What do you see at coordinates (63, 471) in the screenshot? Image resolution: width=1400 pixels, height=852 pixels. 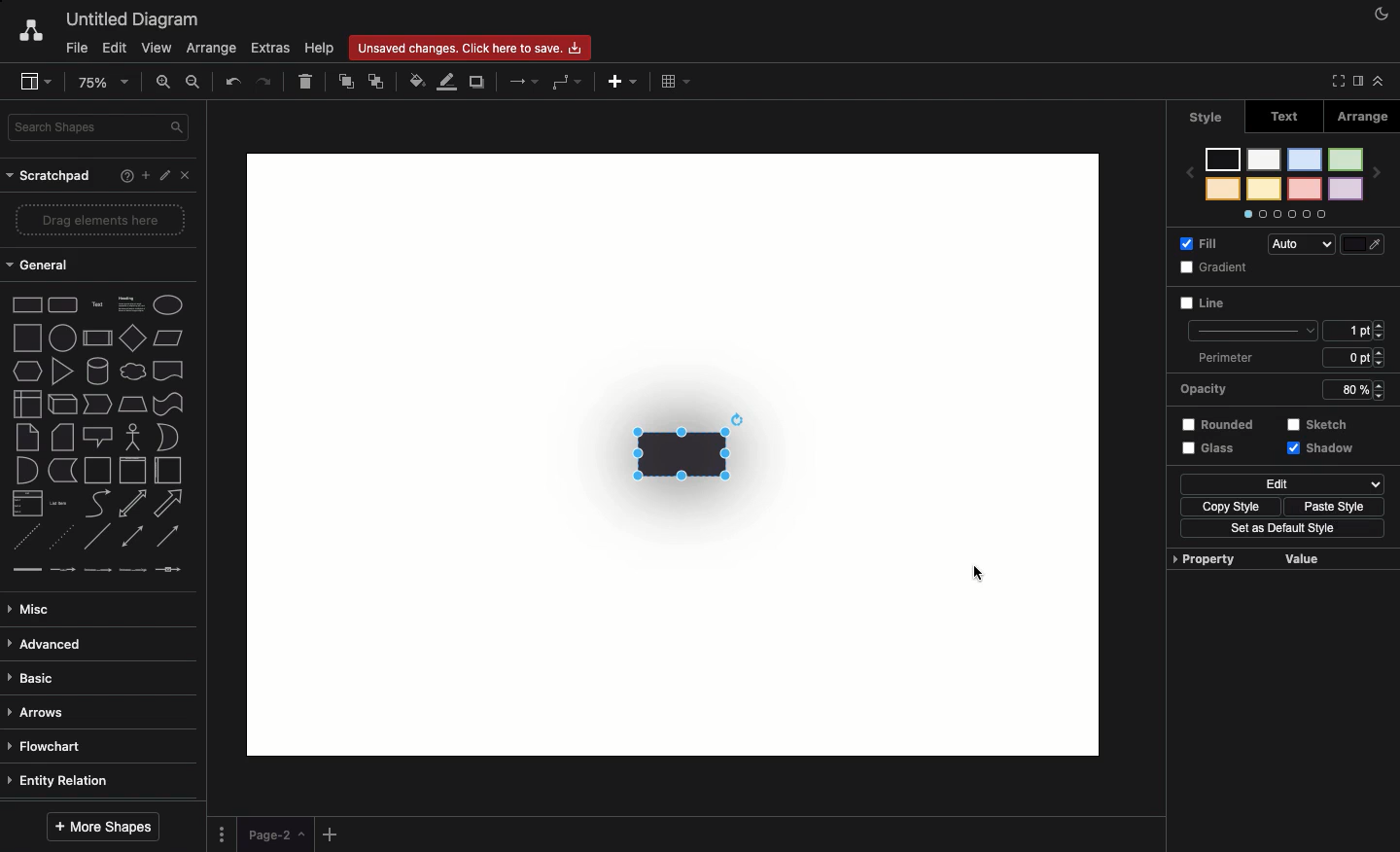 I see `data storage` at bounding box center [63, 471].